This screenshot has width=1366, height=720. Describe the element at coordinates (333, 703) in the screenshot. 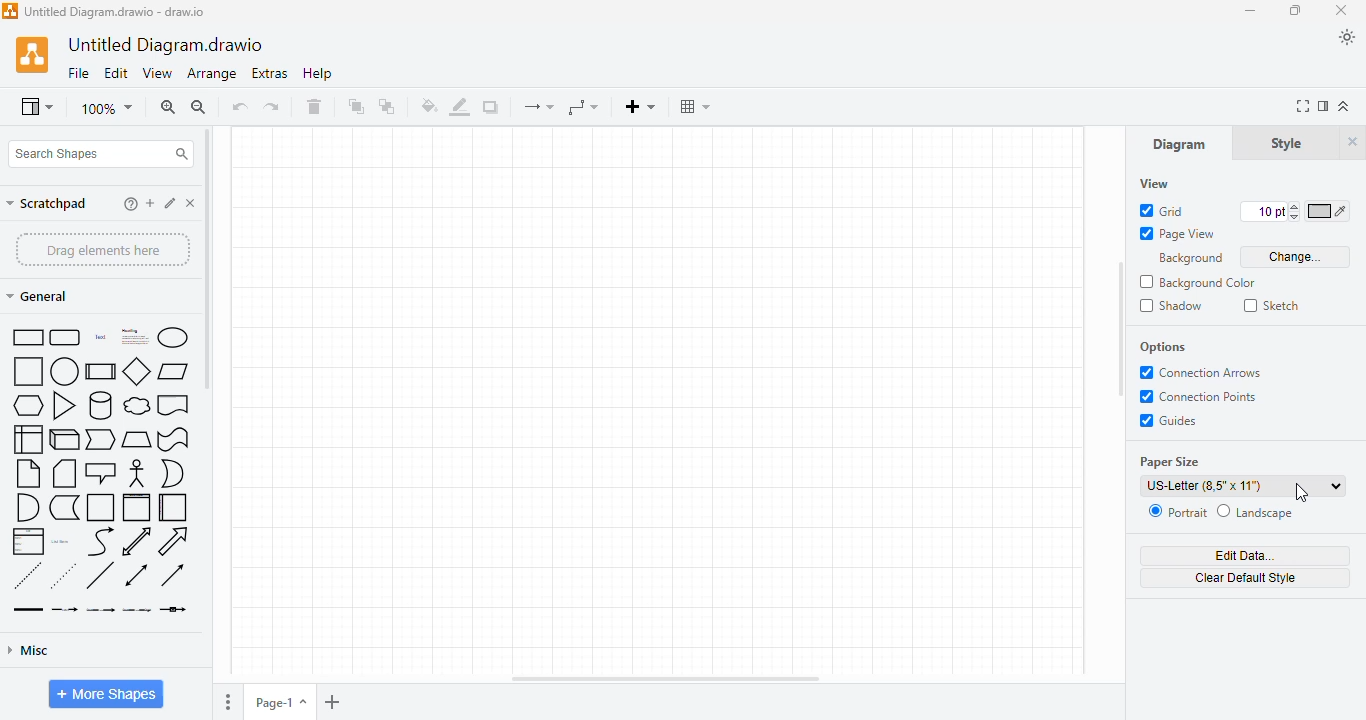

I see `insert page` at that location.